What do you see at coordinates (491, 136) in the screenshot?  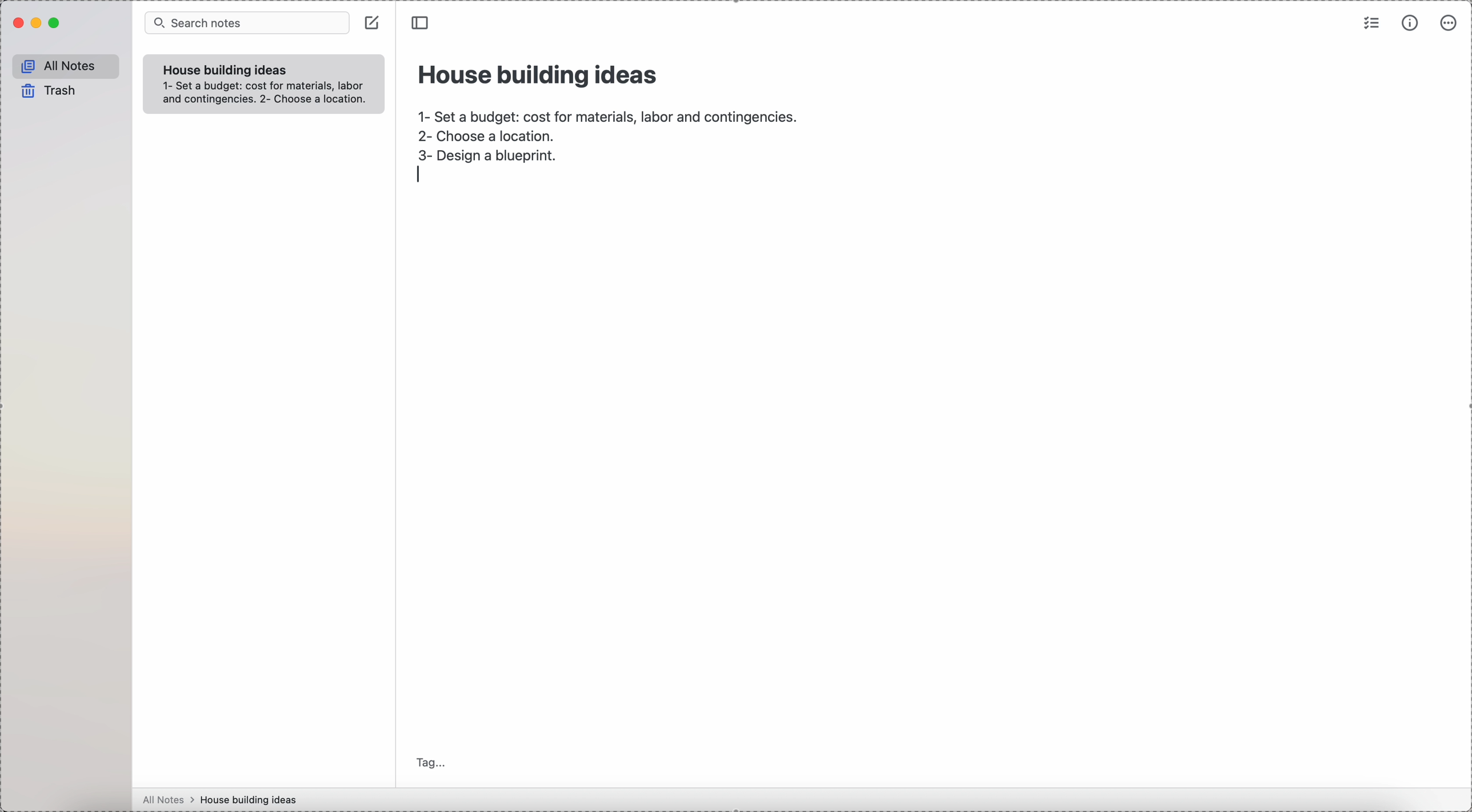 I see `choose a location` at bounding box center [491, 136].